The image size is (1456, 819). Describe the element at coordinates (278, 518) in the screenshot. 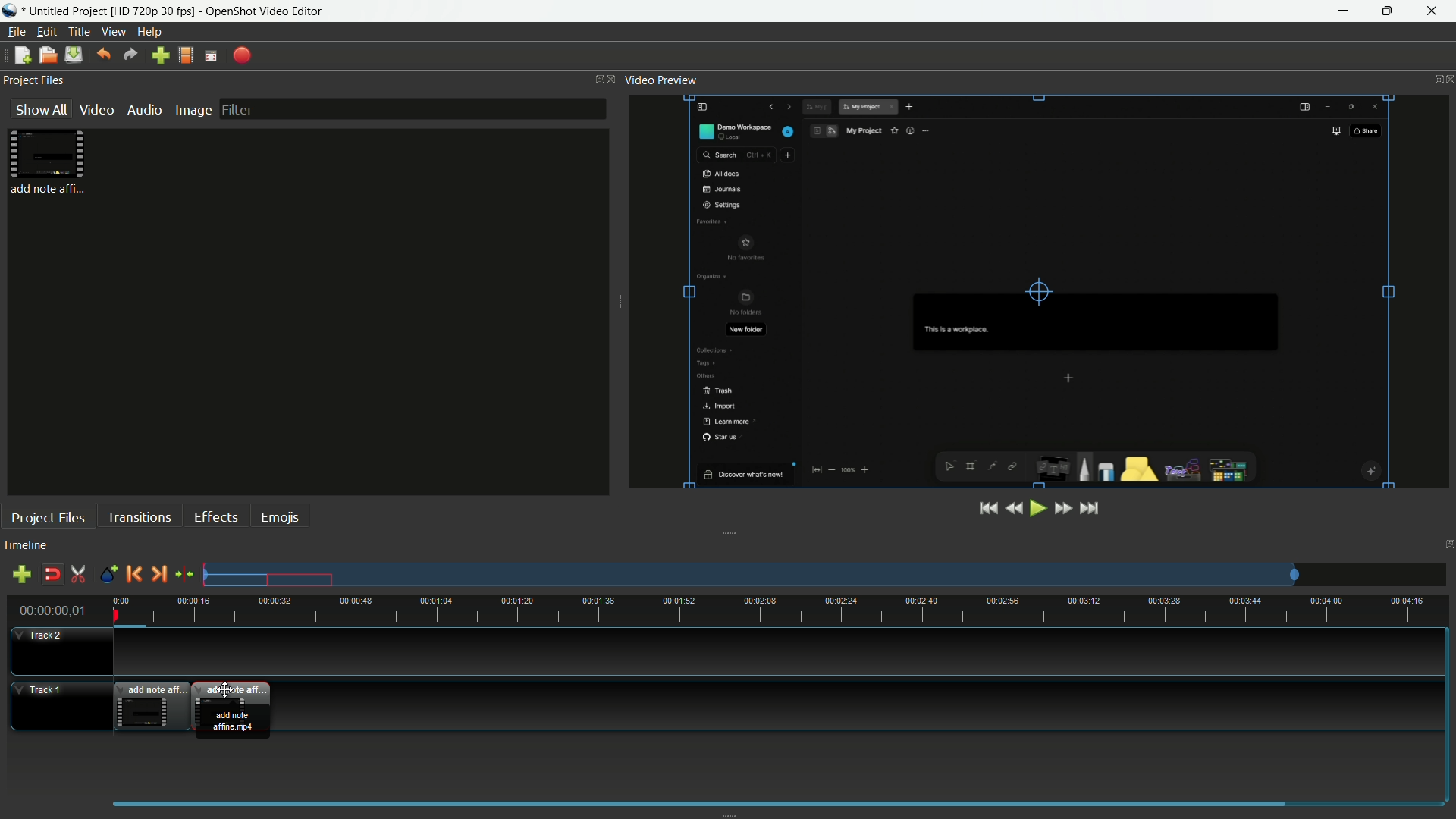

I see `emojis` at that location.